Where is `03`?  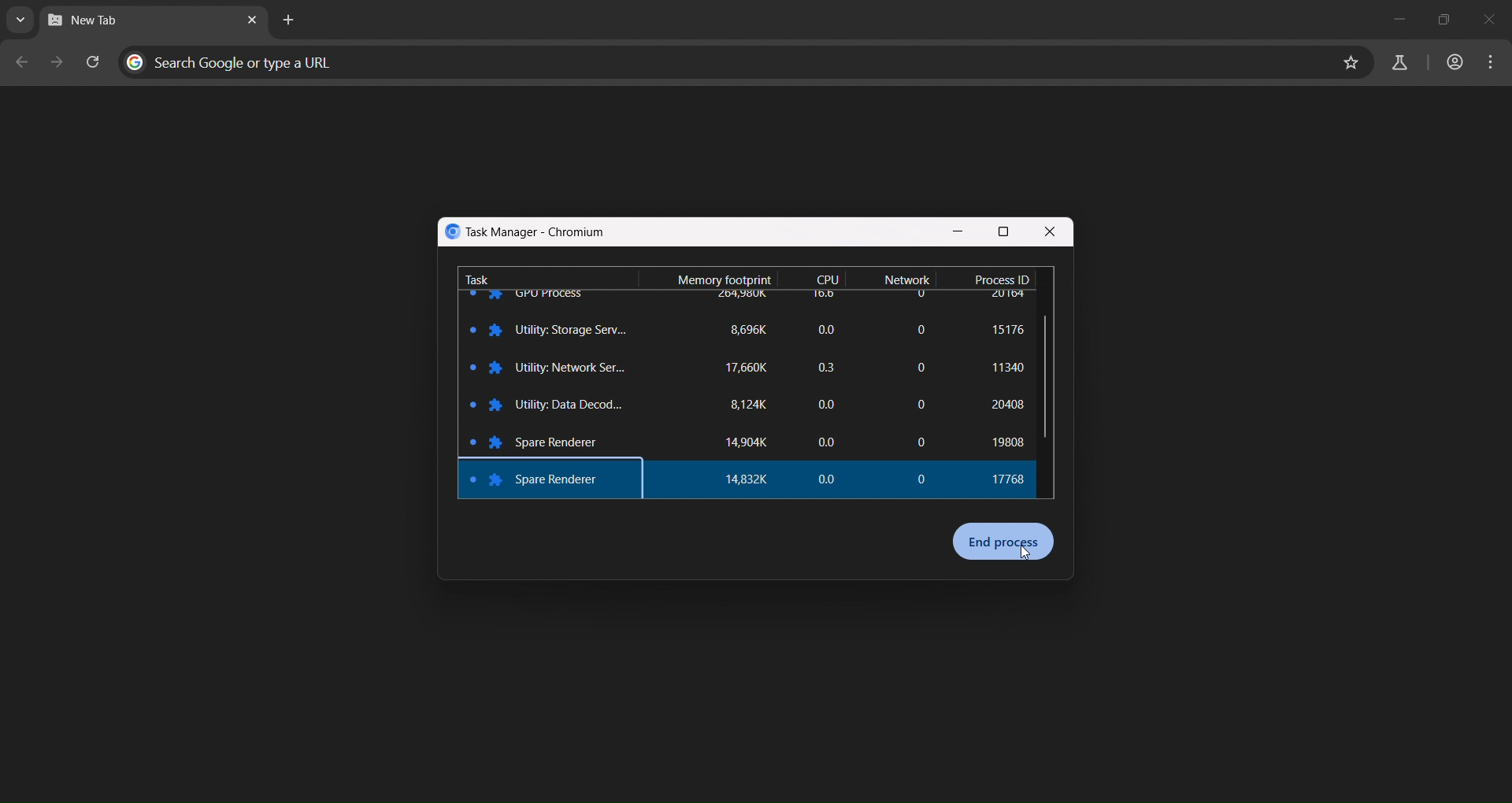 03 is located at coordinates (823, 363).